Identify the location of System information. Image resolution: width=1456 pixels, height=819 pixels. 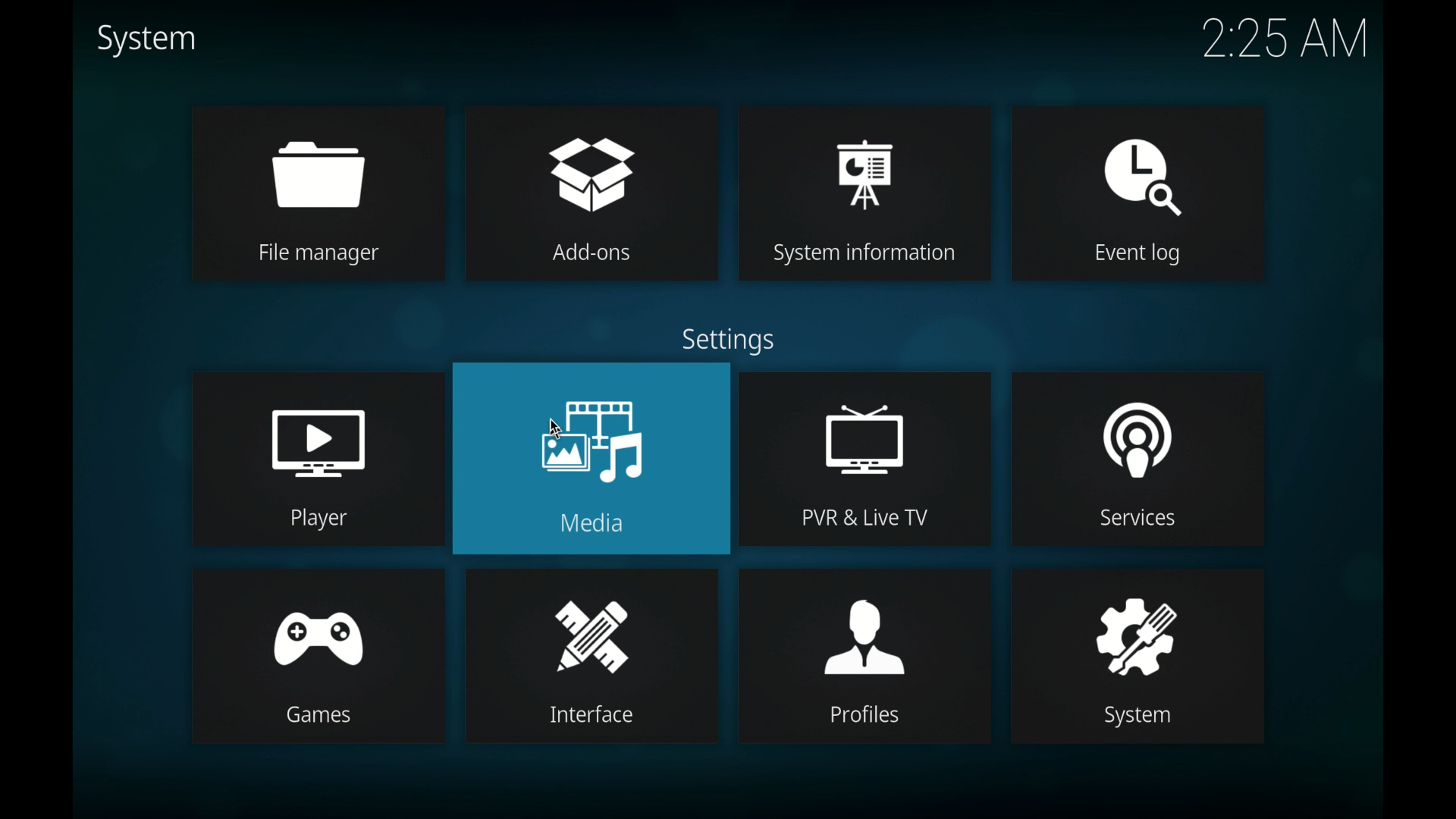
(863, 255).